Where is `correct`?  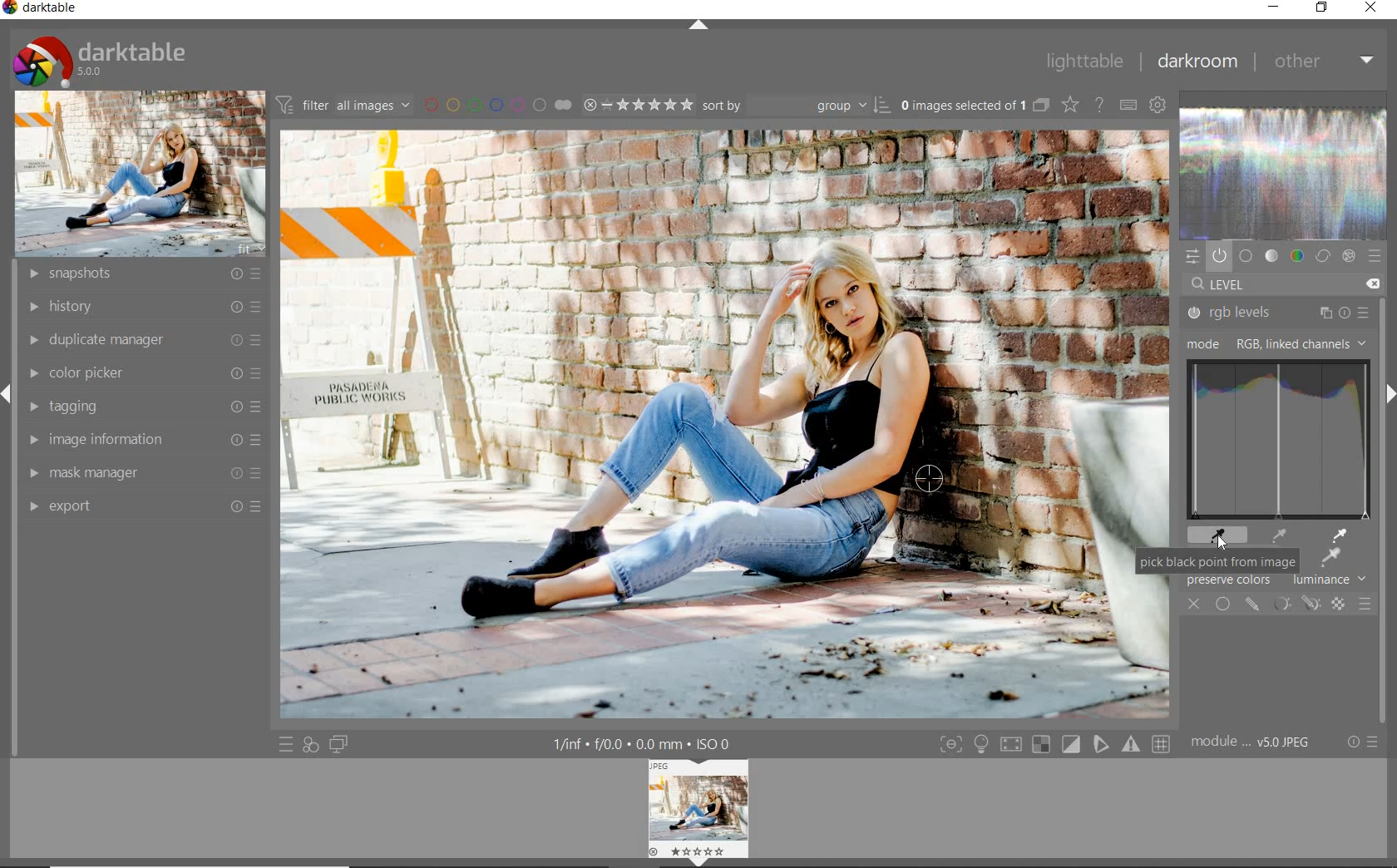
correct is located at coordinates (1323, 255).